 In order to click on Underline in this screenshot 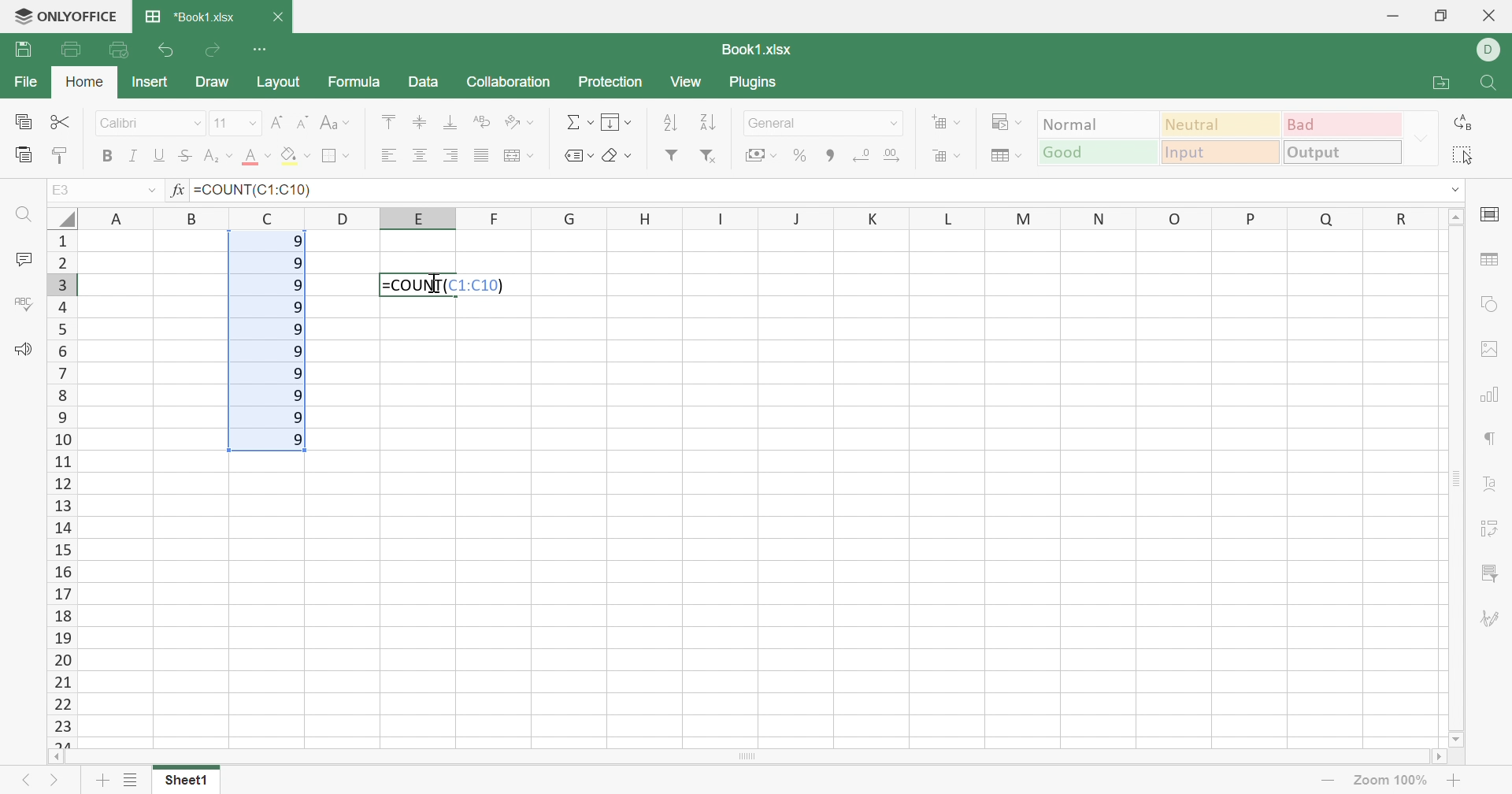, I will do `click(159, 155)`.